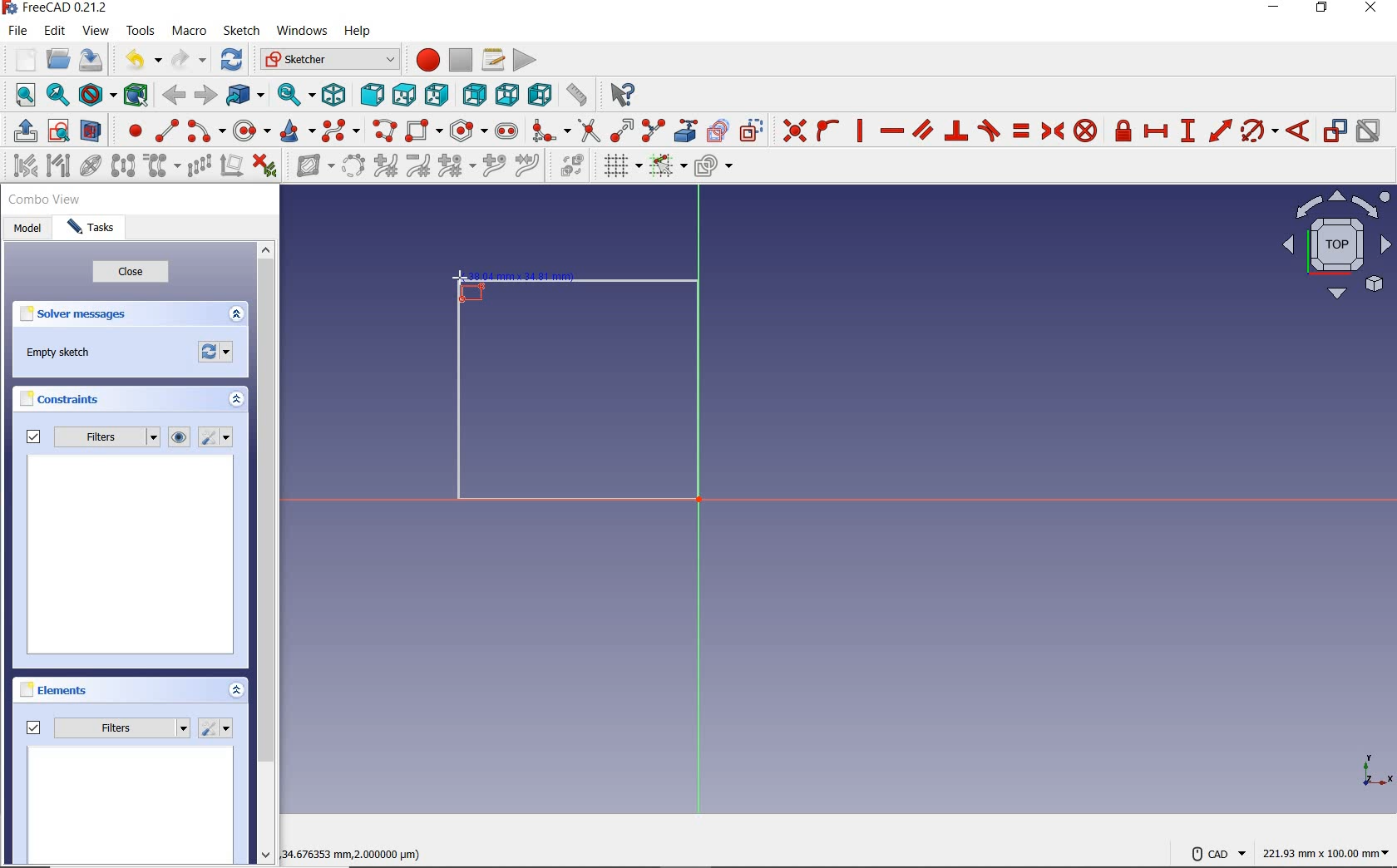 The image size is (1397, 868). I want to click on constrain horizontally, so click(891, 131).